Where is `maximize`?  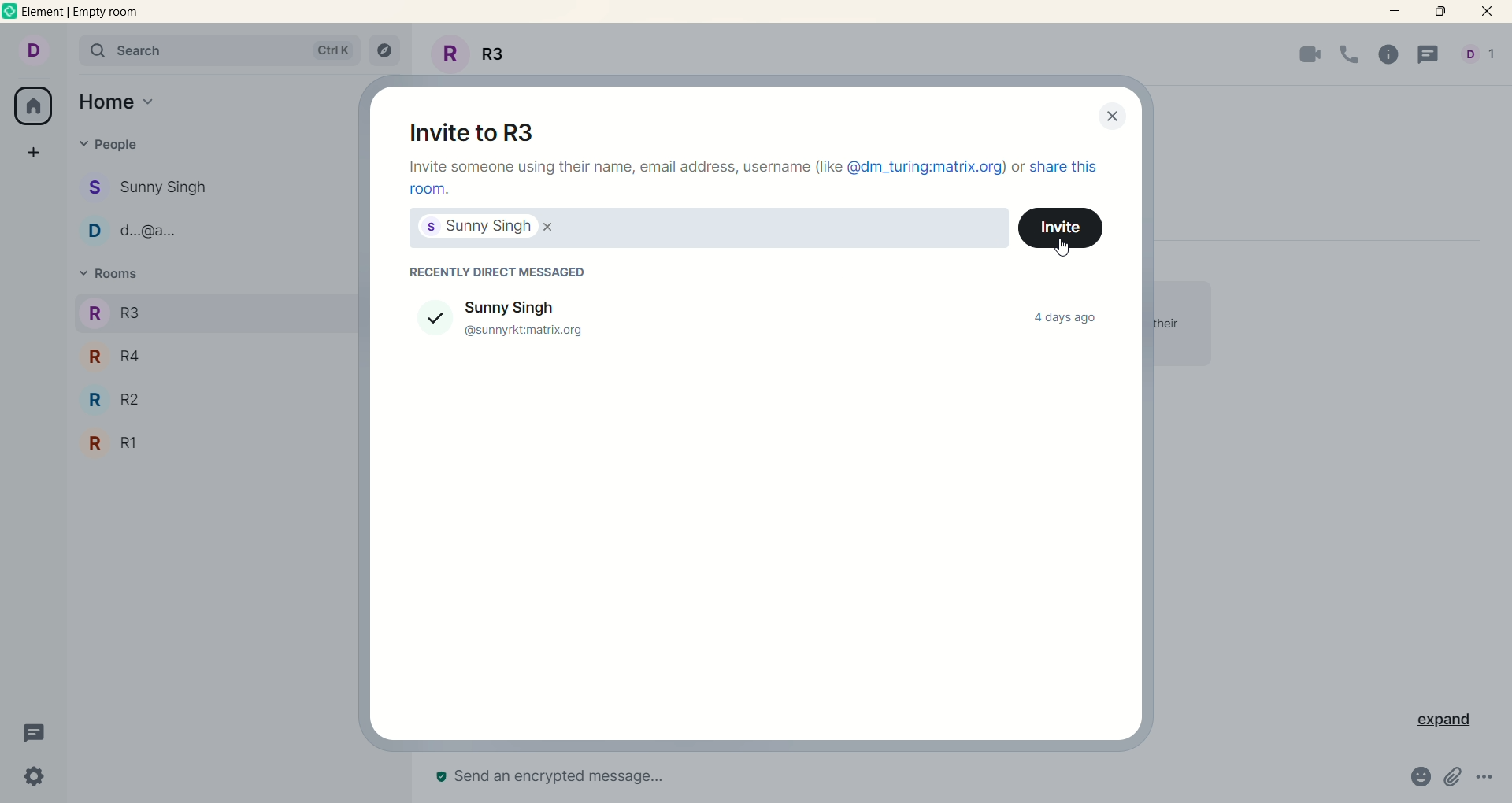 maximize is located at coordinates (1443, 13).